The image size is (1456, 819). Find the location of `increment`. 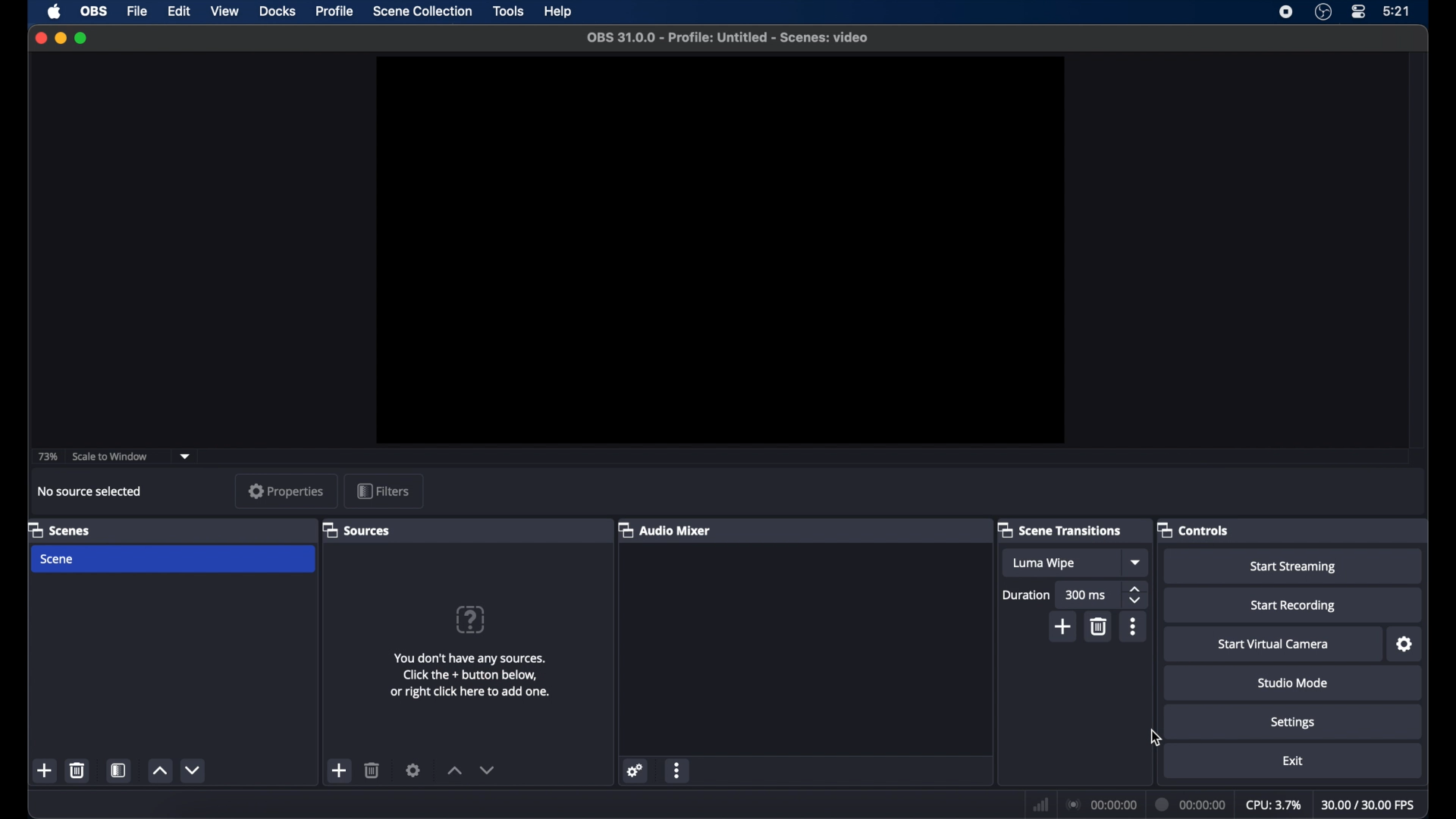

increment is located at coordinates (454, 770).